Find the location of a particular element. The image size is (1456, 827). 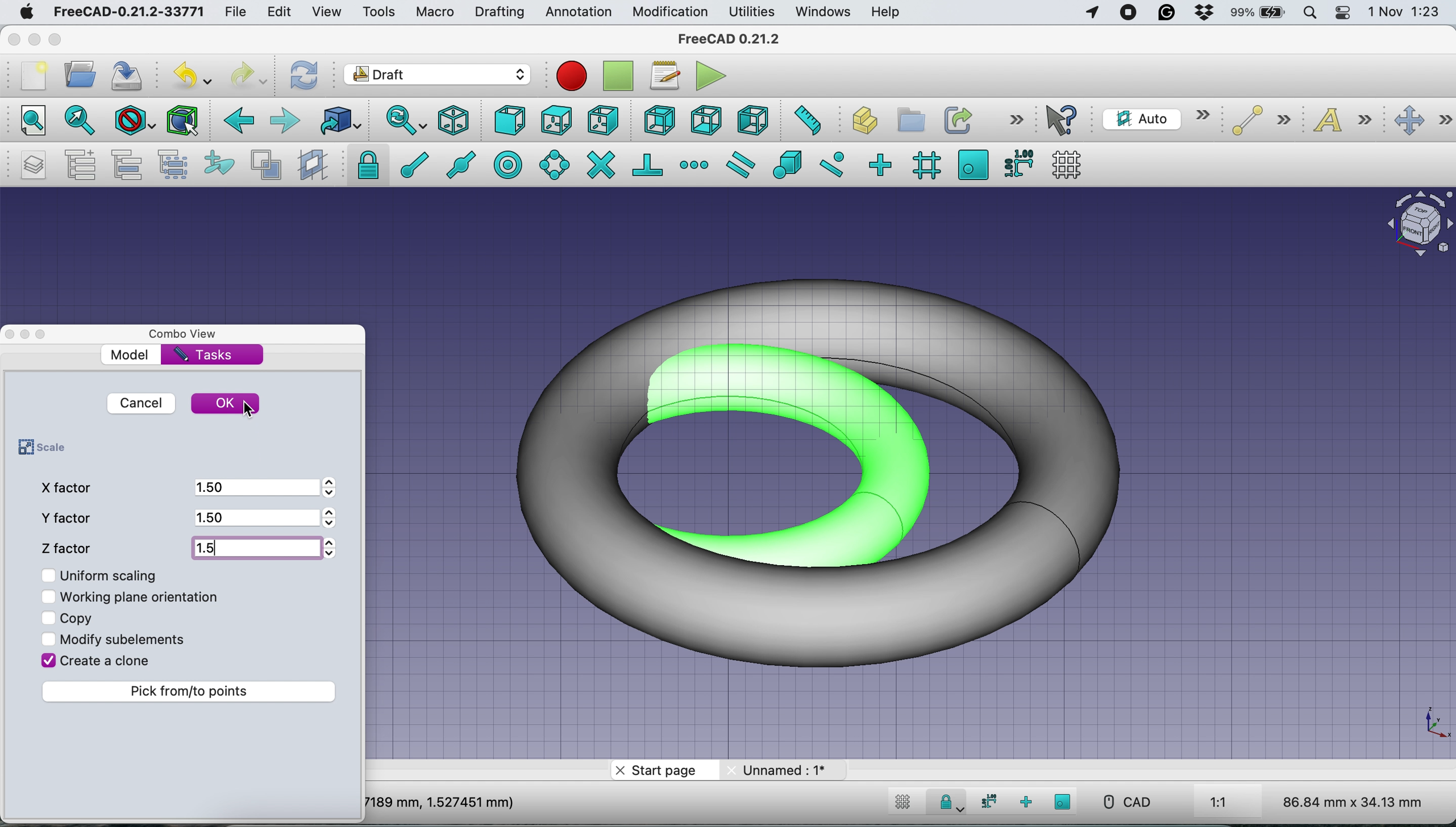

Checkbox is located at coordinates (47, 573).